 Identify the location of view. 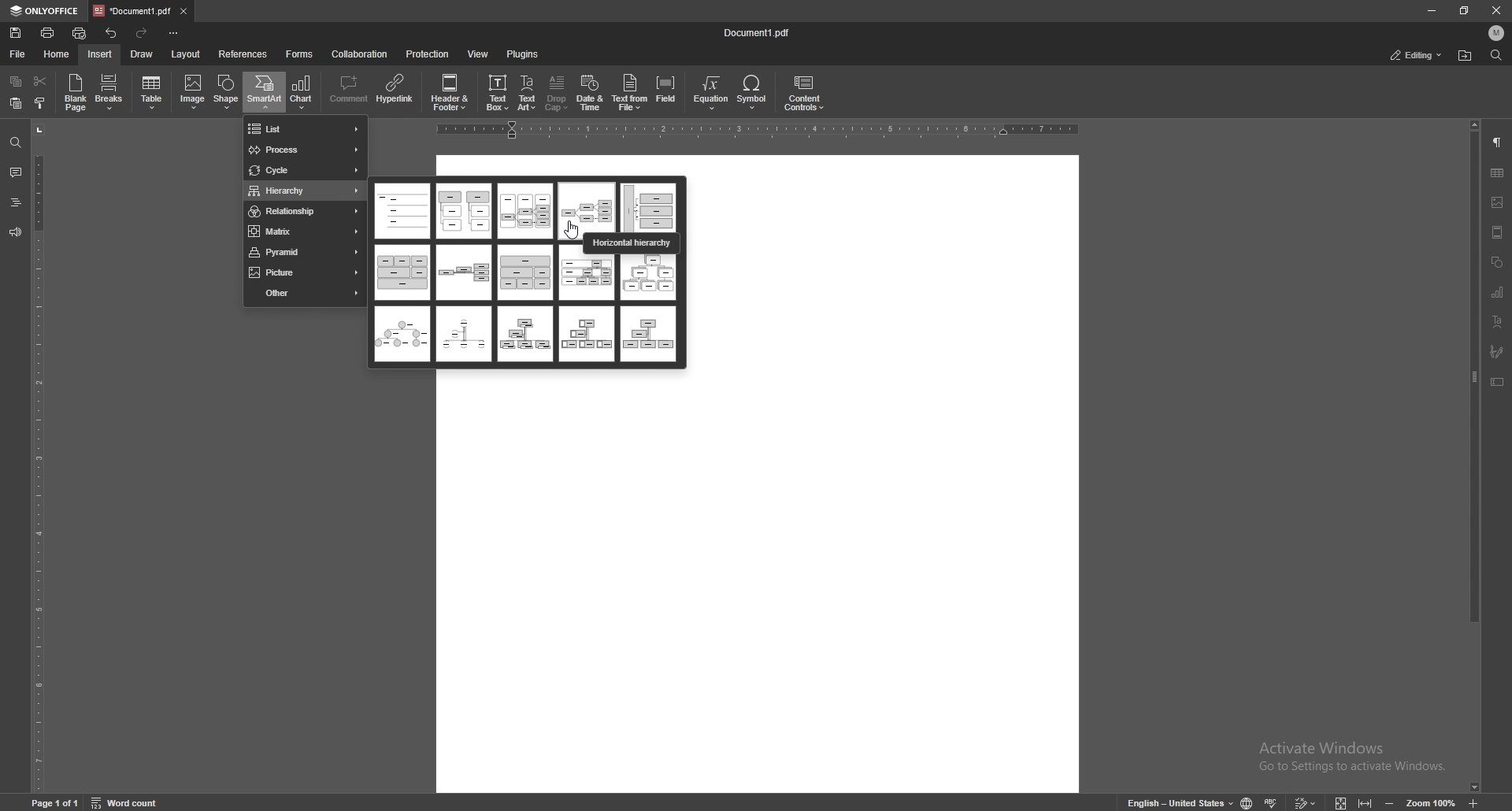
(478, 54).